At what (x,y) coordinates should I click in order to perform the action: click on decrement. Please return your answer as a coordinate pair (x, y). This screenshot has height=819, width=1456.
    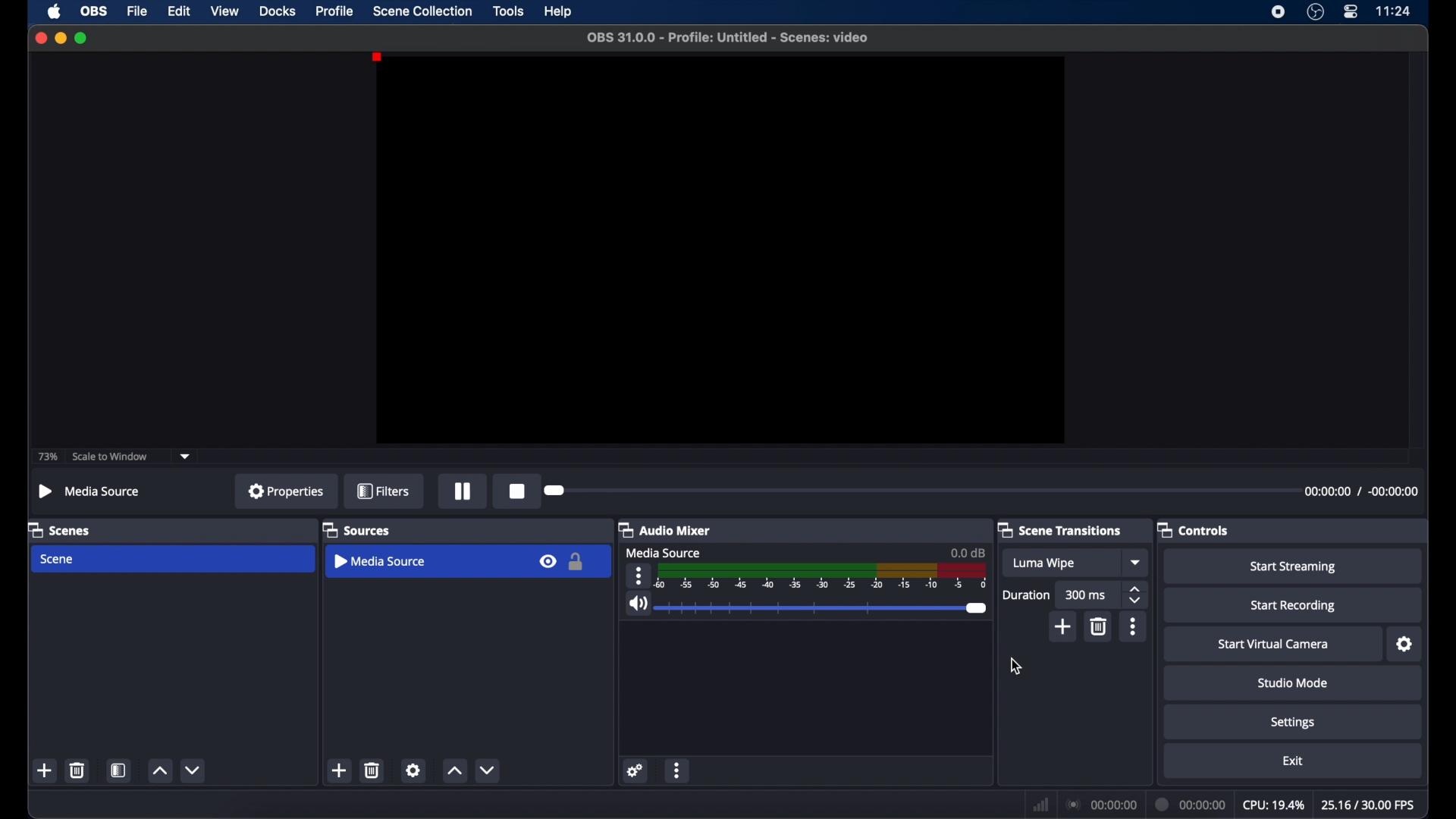
    Looking at the image, I should click on (486, 770).